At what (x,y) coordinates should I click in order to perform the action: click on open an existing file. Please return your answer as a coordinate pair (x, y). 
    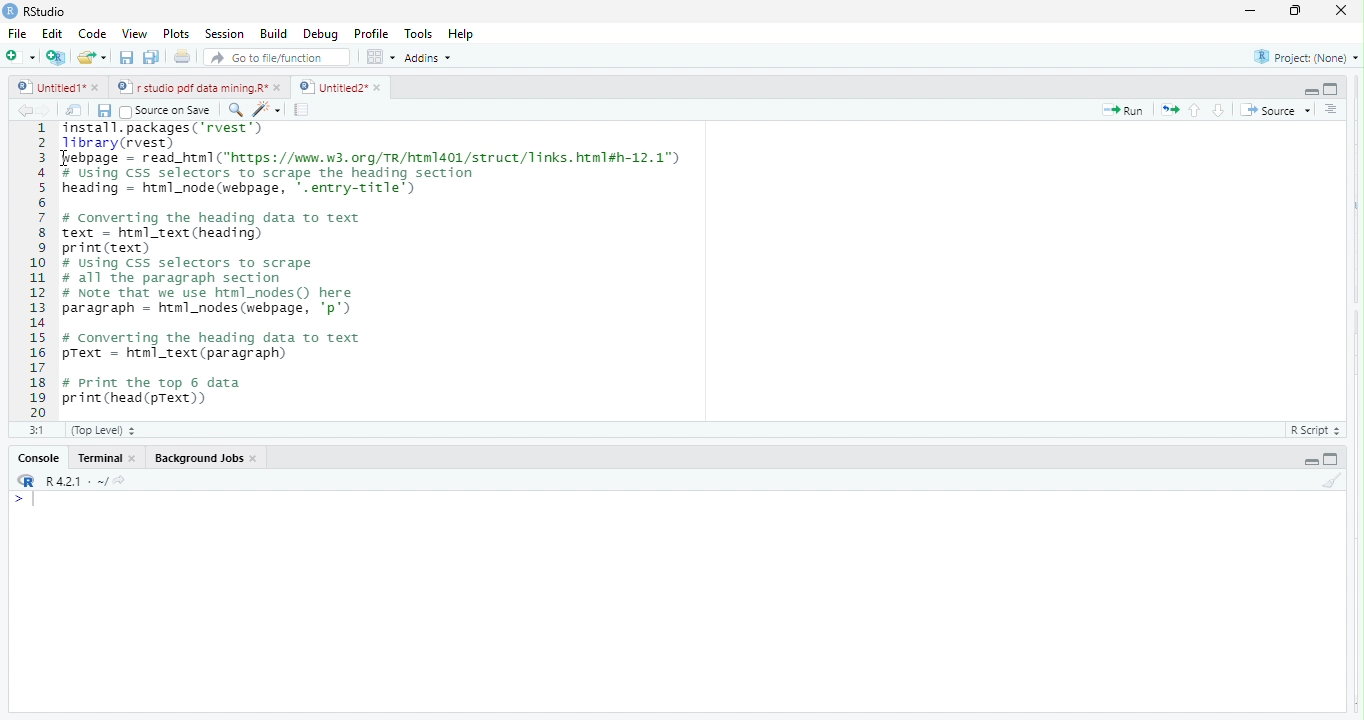
    Looking at the image, I should click on (93, 56).